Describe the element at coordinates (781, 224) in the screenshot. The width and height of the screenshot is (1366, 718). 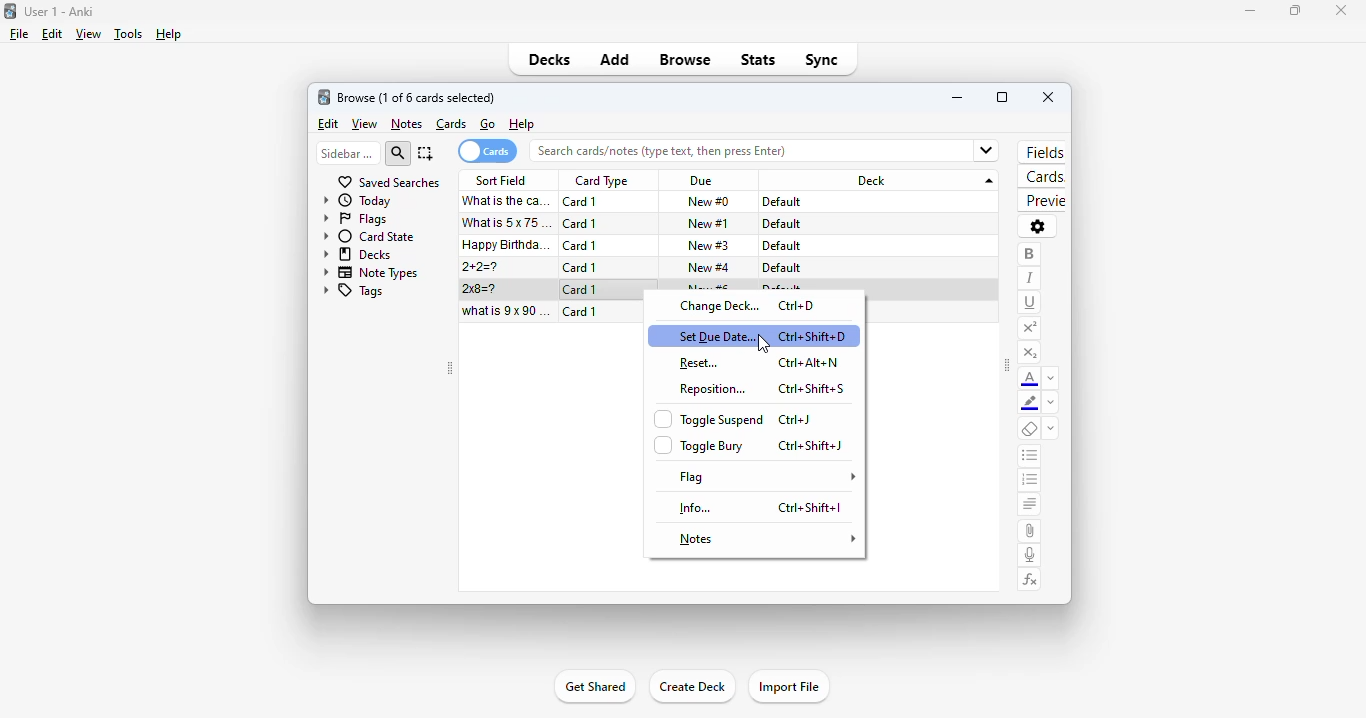
I see `default` at that location.